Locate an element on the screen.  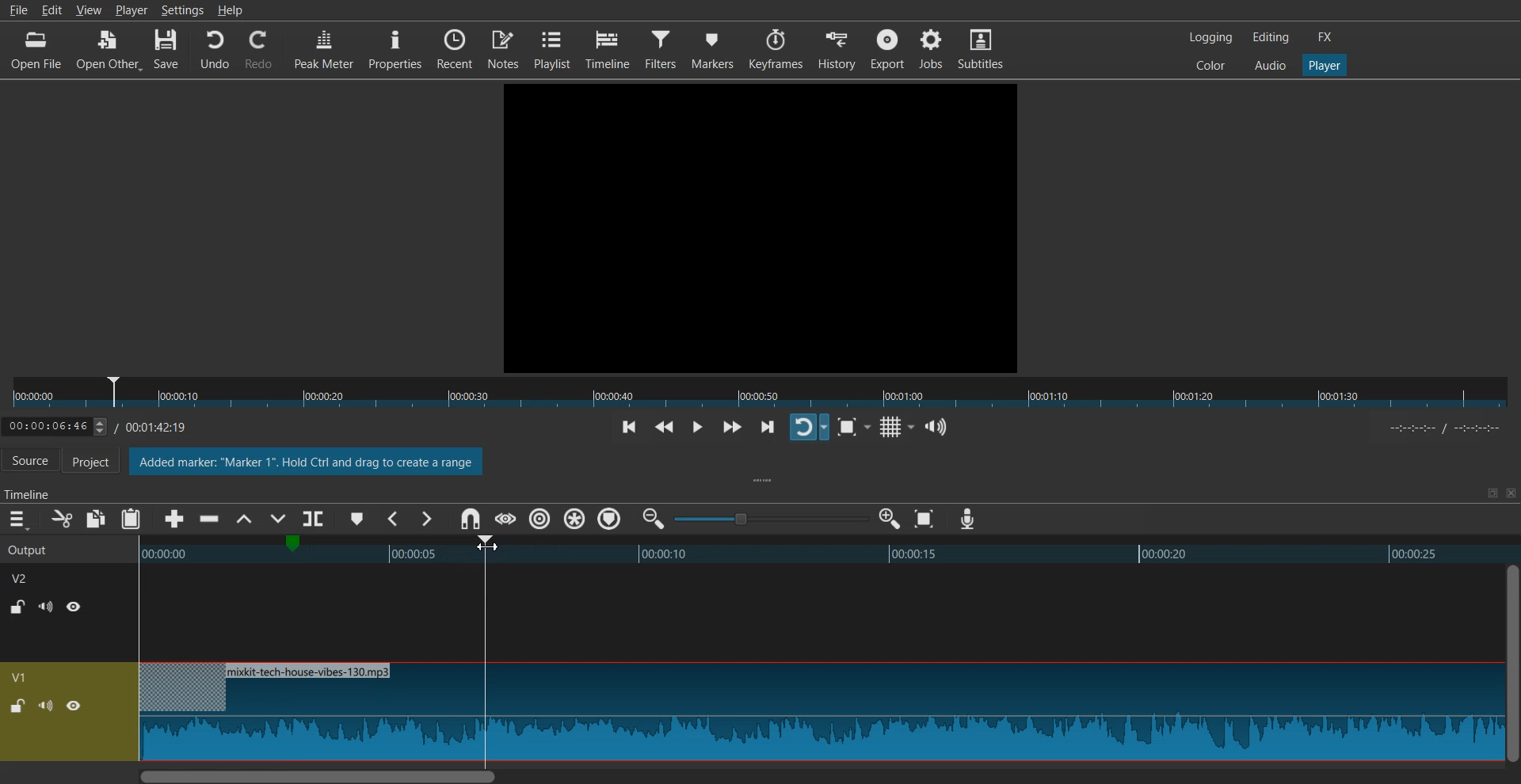
Mute is located at coordinates (46, 607).